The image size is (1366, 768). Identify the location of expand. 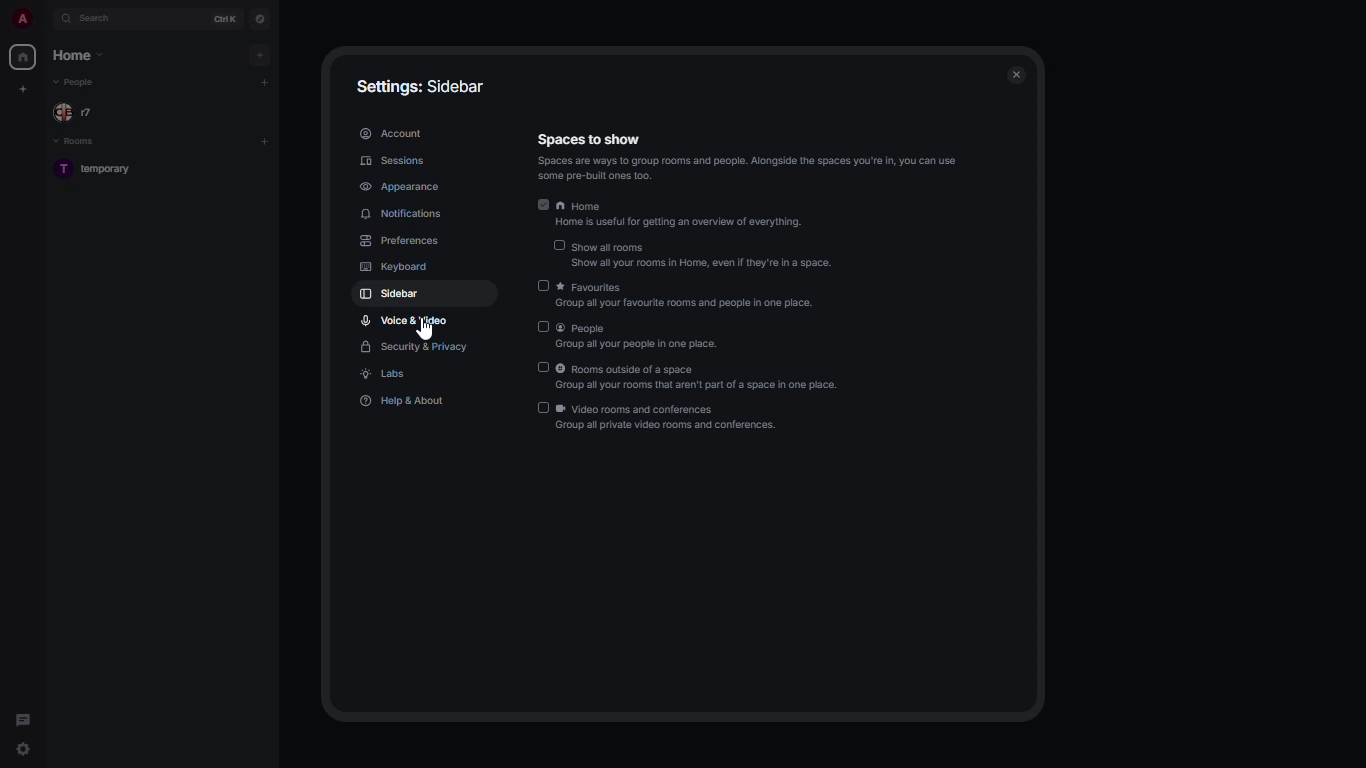
(48, 18).